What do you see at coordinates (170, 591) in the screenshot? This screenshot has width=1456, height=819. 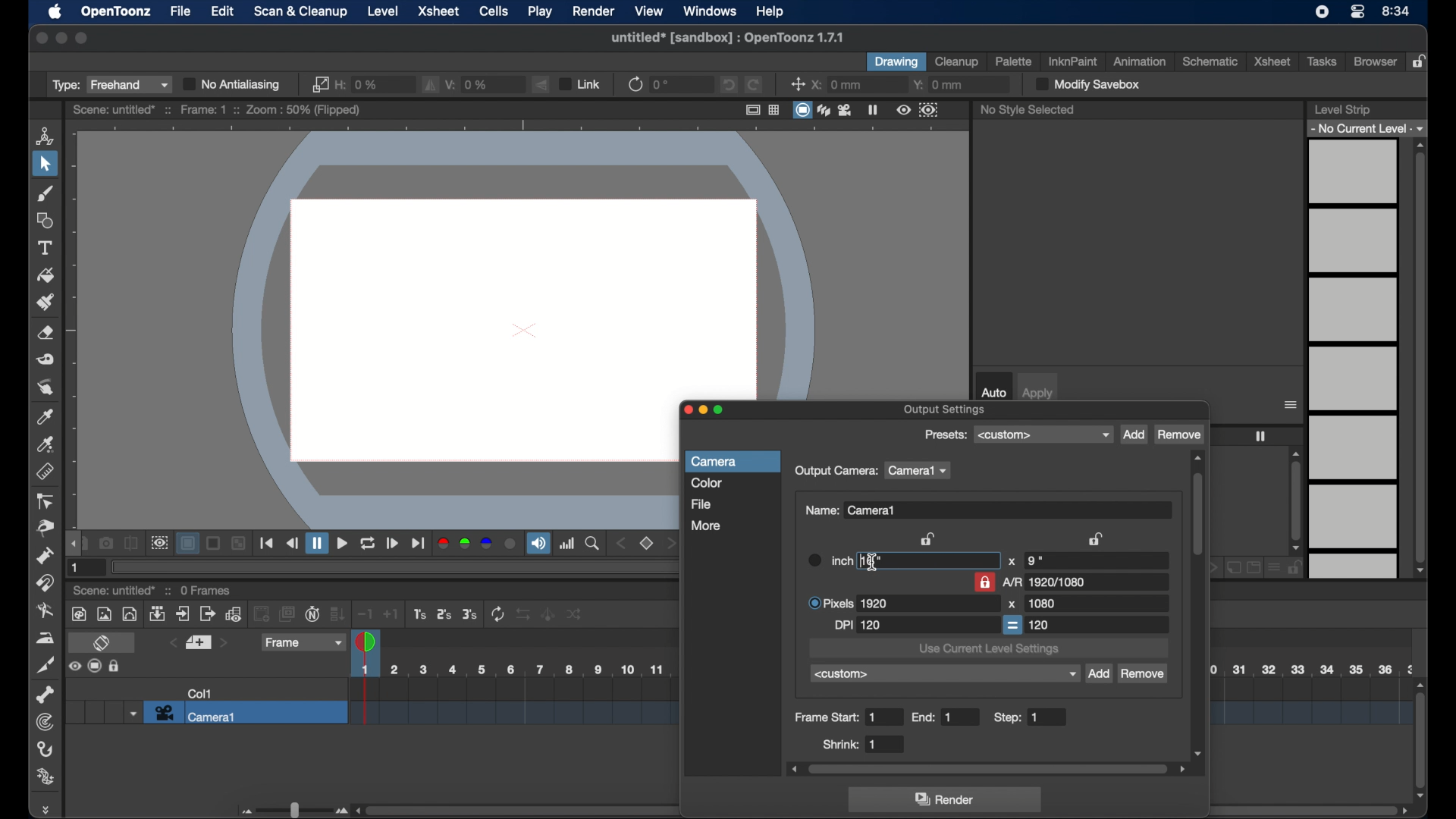 I see `` at bounding box center [170, 591].